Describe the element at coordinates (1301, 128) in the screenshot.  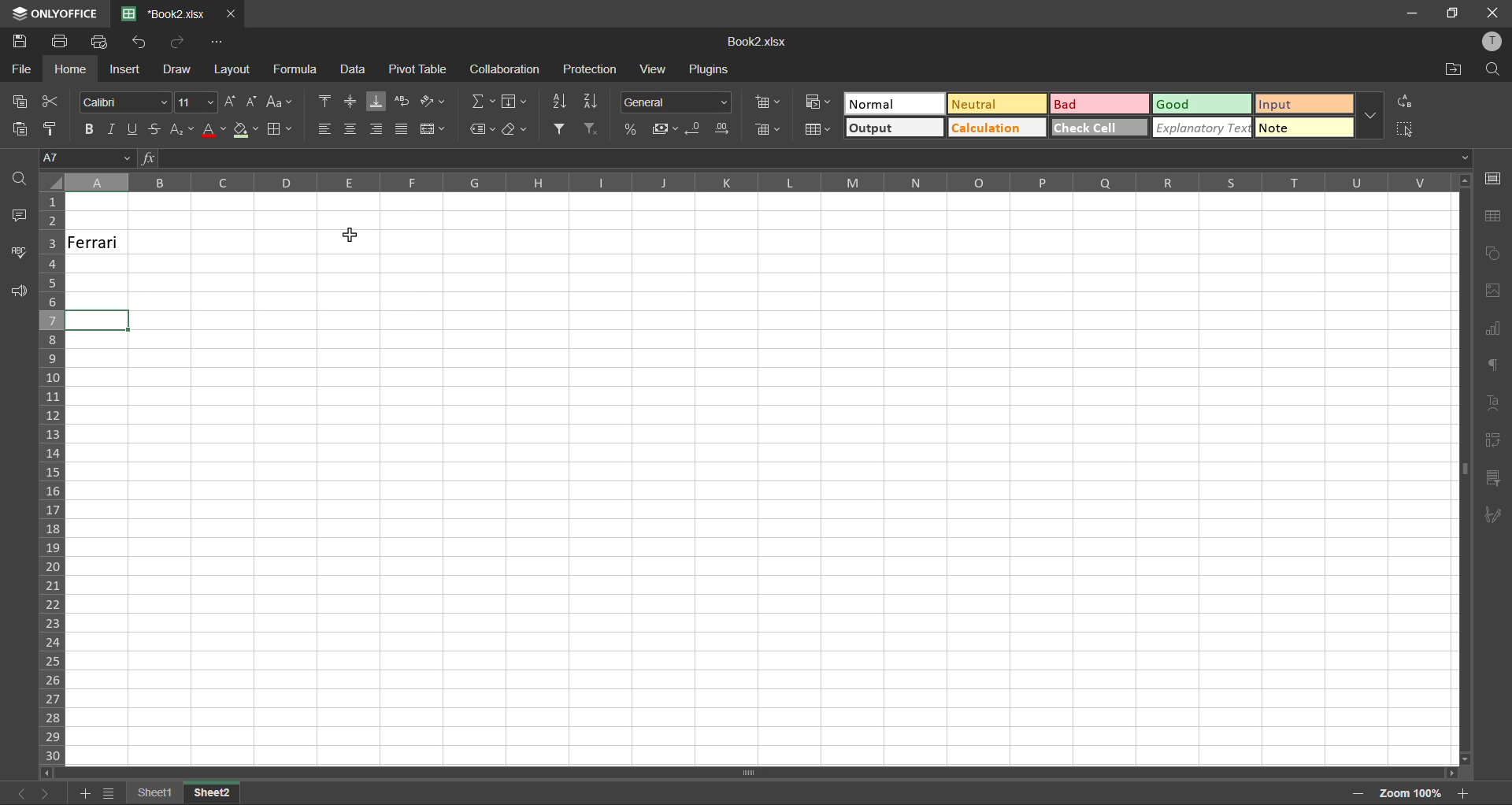
I see `note` at that location.